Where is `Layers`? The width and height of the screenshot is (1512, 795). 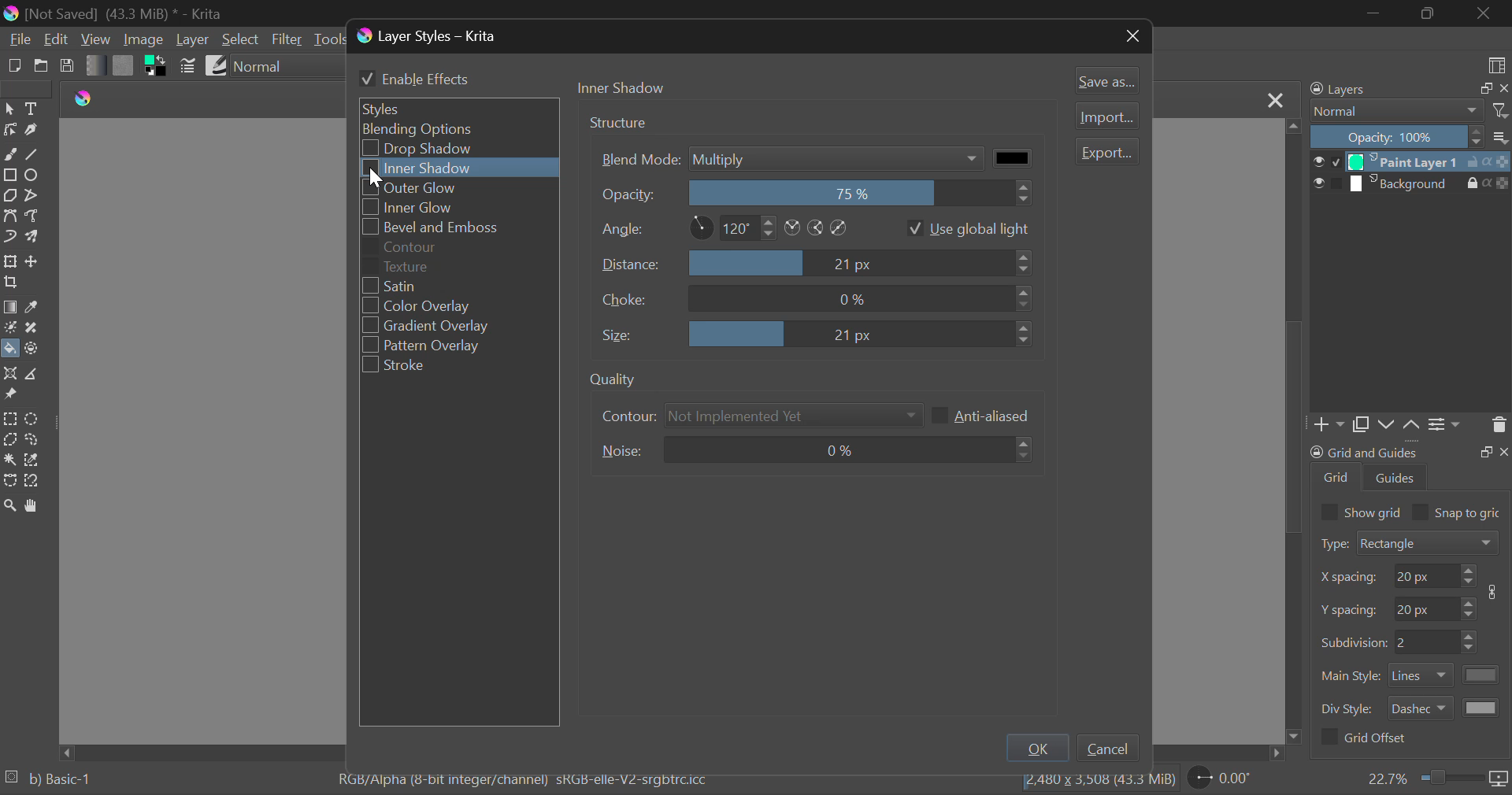 Layers is located at coordinates (1410, 173).